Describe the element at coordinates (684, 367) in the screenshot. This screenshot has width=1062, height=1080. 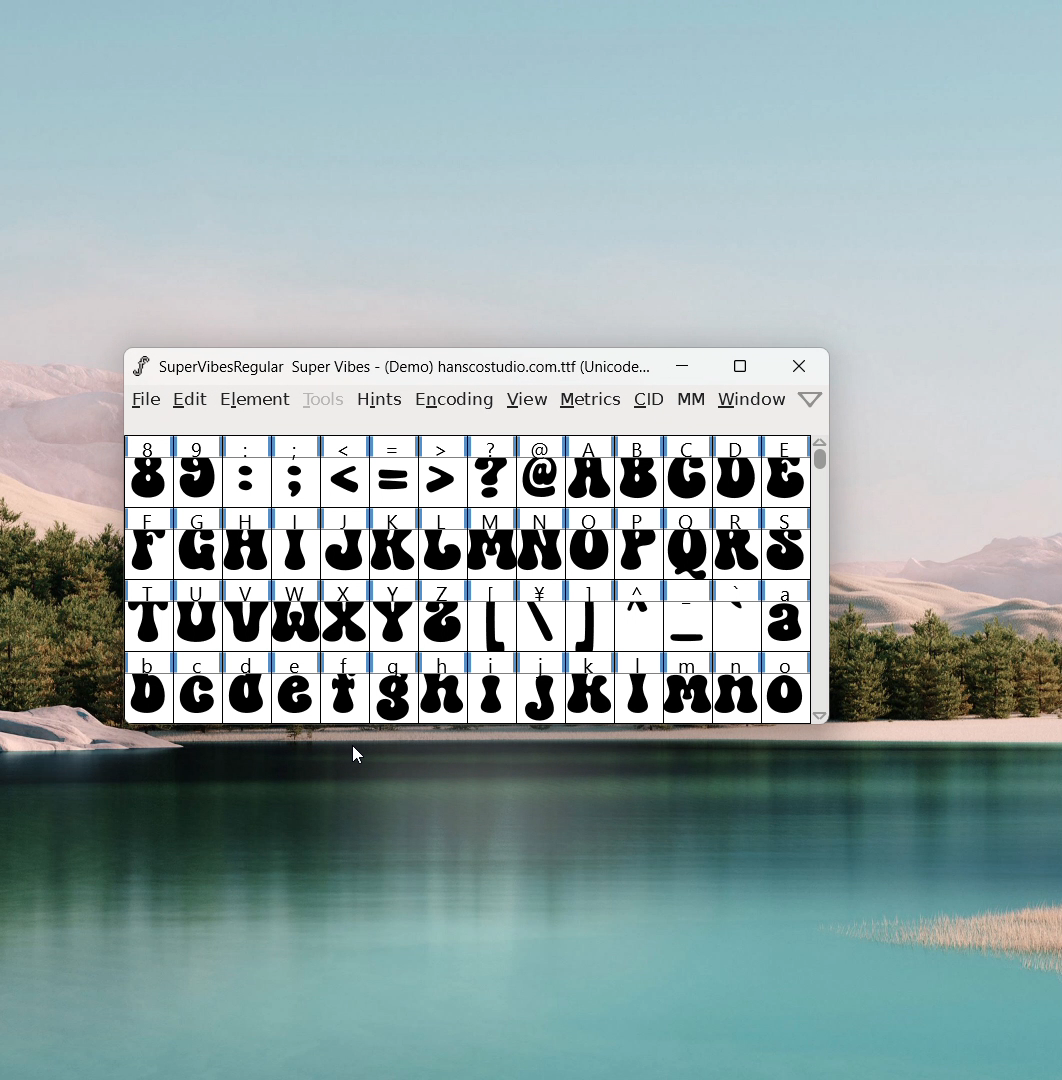
I see `minimize` at that location.